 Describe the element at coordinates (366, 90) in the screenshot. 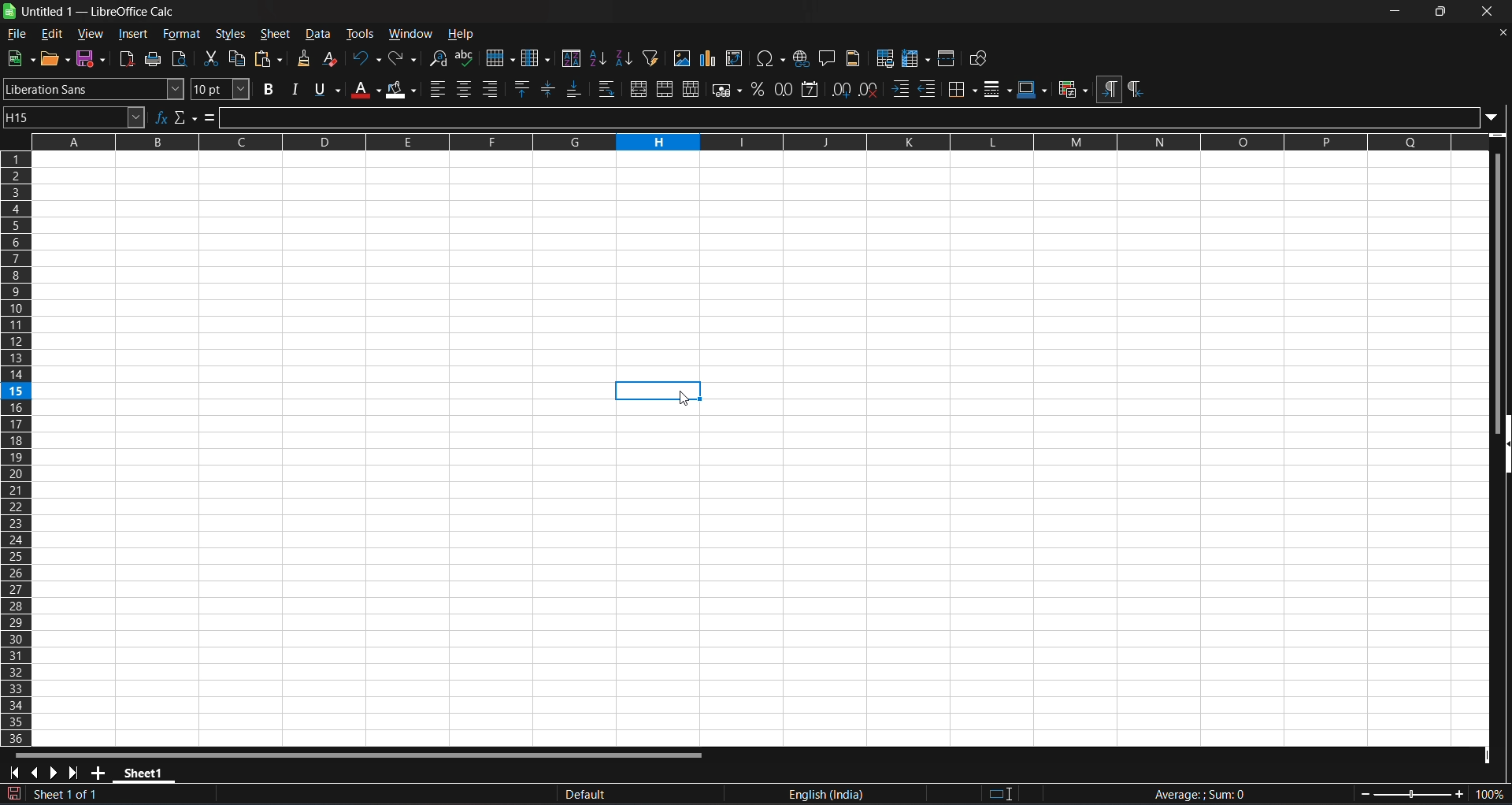

I see `font color` at that location.